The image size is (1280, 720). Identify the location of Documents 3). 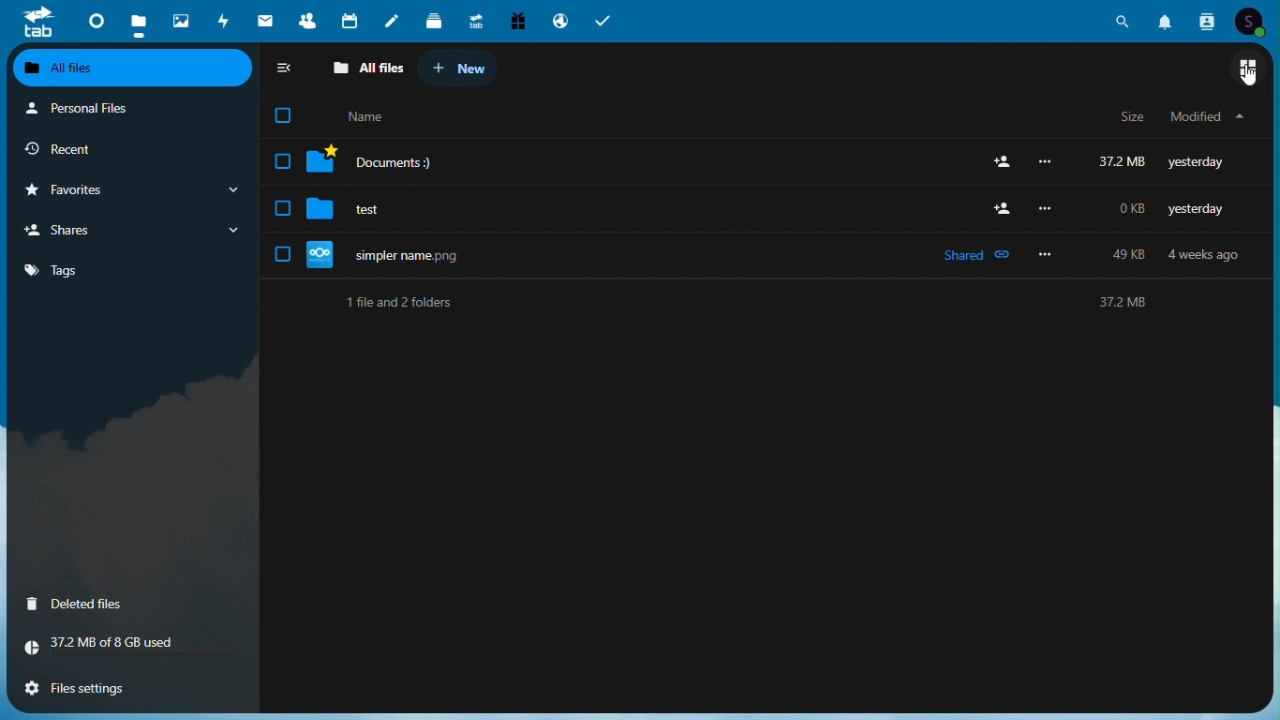
(755, 160).